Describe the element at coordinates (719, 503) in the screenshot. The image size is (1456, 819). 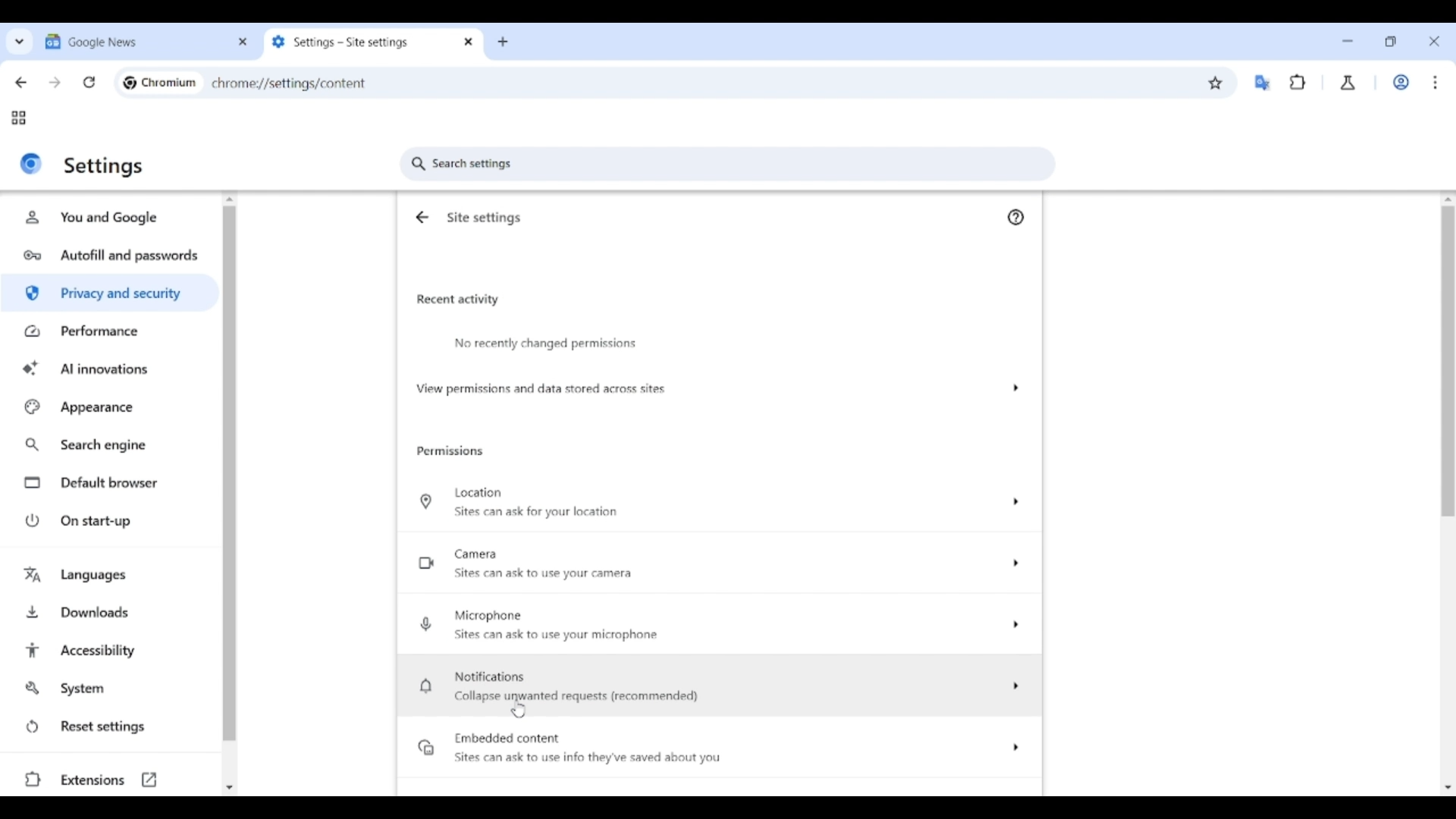
I see `Location options` at that location.